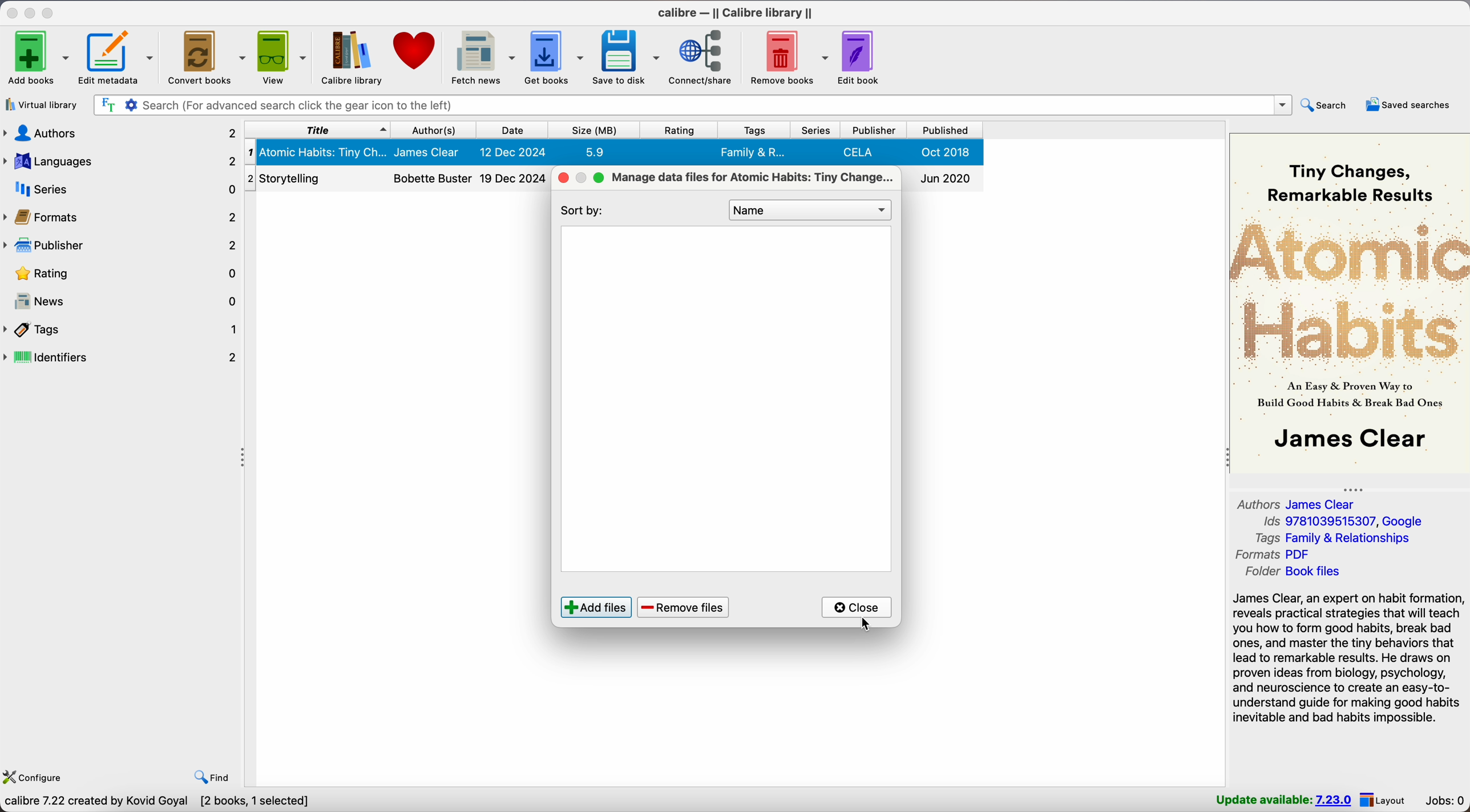  Describe the element at coordinates (684, 607) in the screenshot. I see `remove files` at that location.